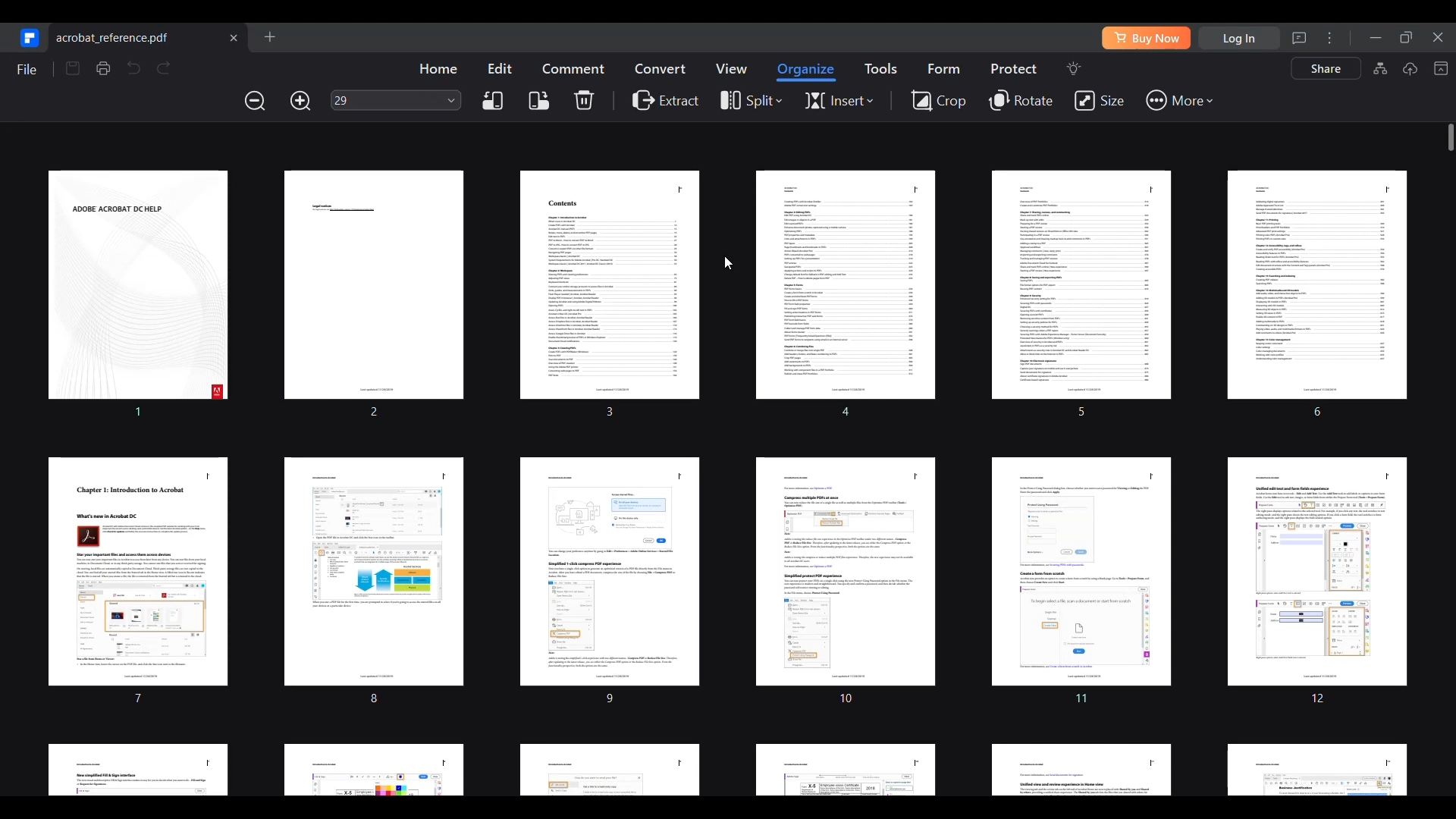 This screenshot has height=819, width=1456. I want to click on Insert page options, so click(839, 101).